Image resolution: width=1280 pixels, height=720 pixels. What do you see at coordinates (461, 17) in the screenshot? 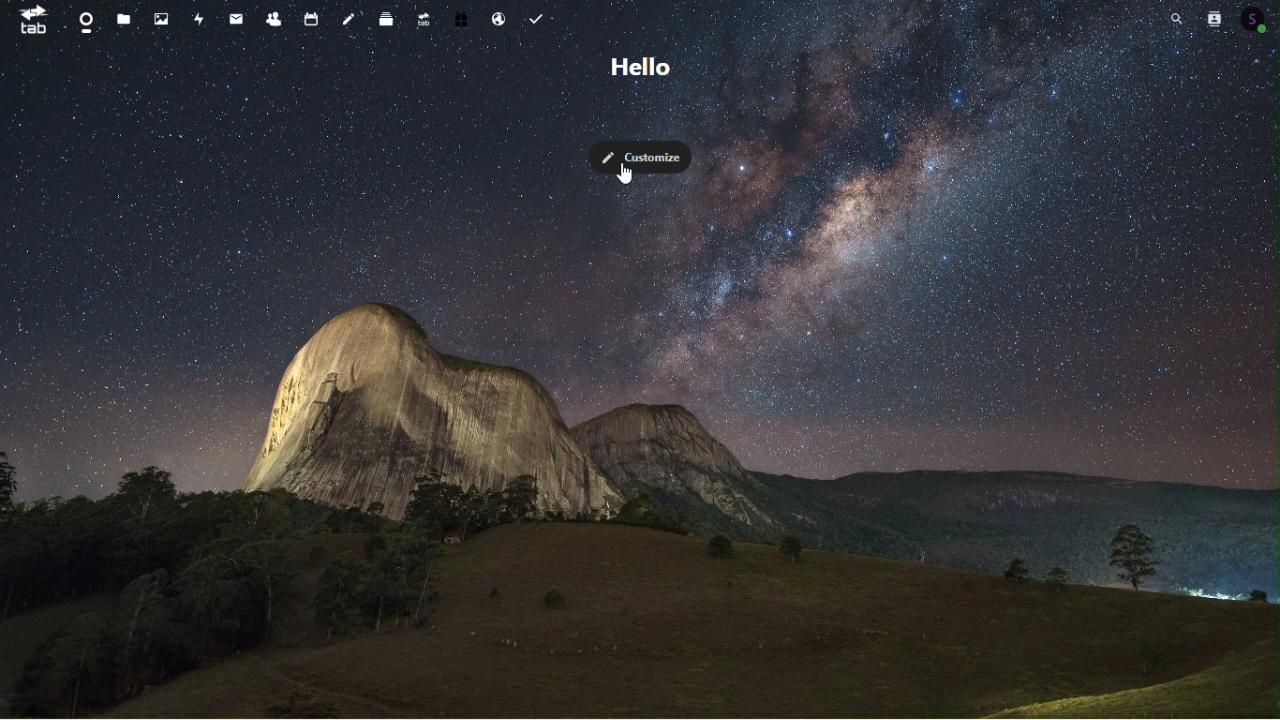
I see `Free trial` at bounding box center [461, 17].